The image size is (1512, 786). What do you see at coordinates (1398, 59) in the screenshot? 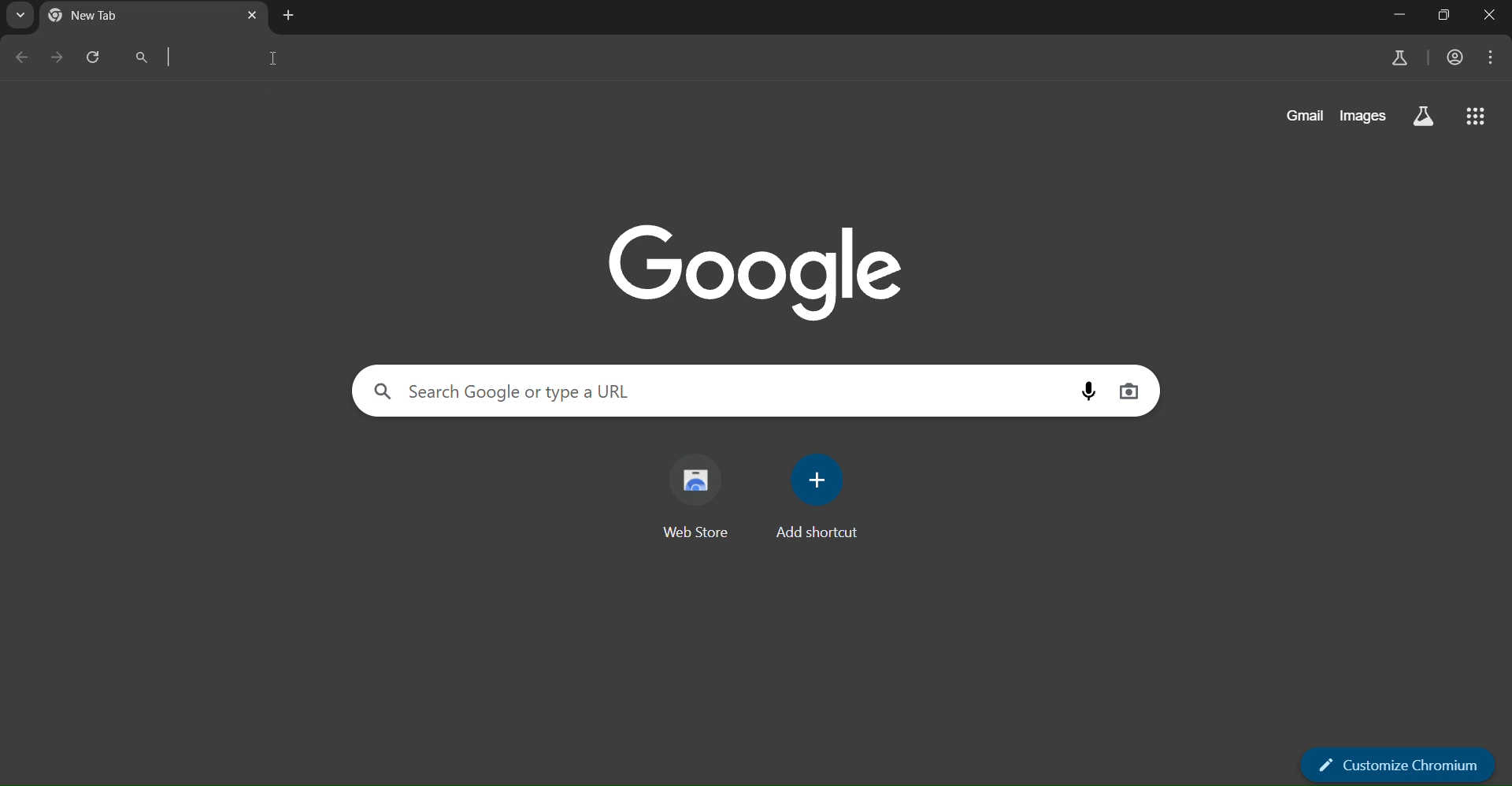
I see `search labs` at bounding box center [1398, 59].